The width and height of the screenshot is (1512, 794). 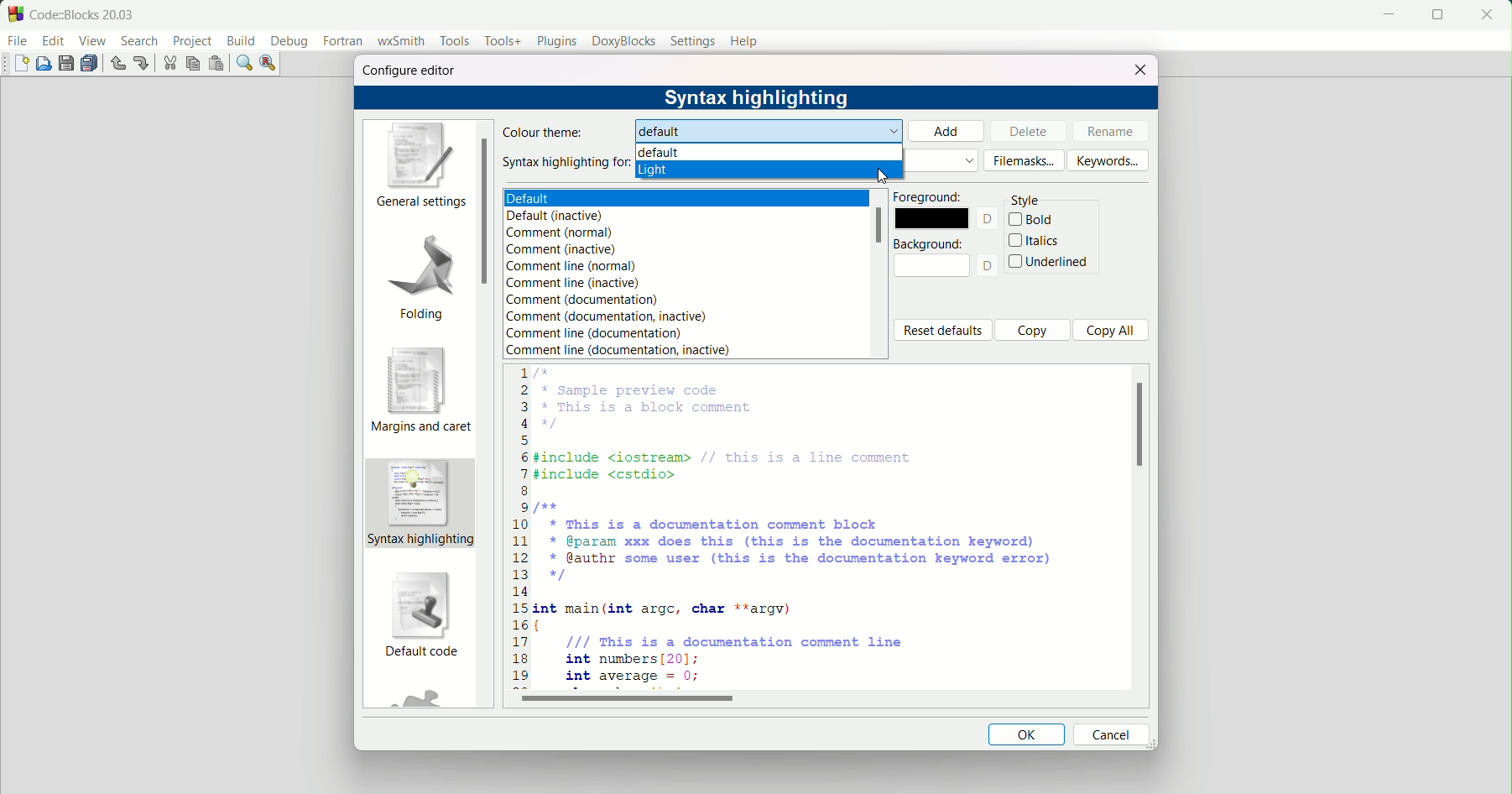 I want to click on default, so click(x=767, y=130).